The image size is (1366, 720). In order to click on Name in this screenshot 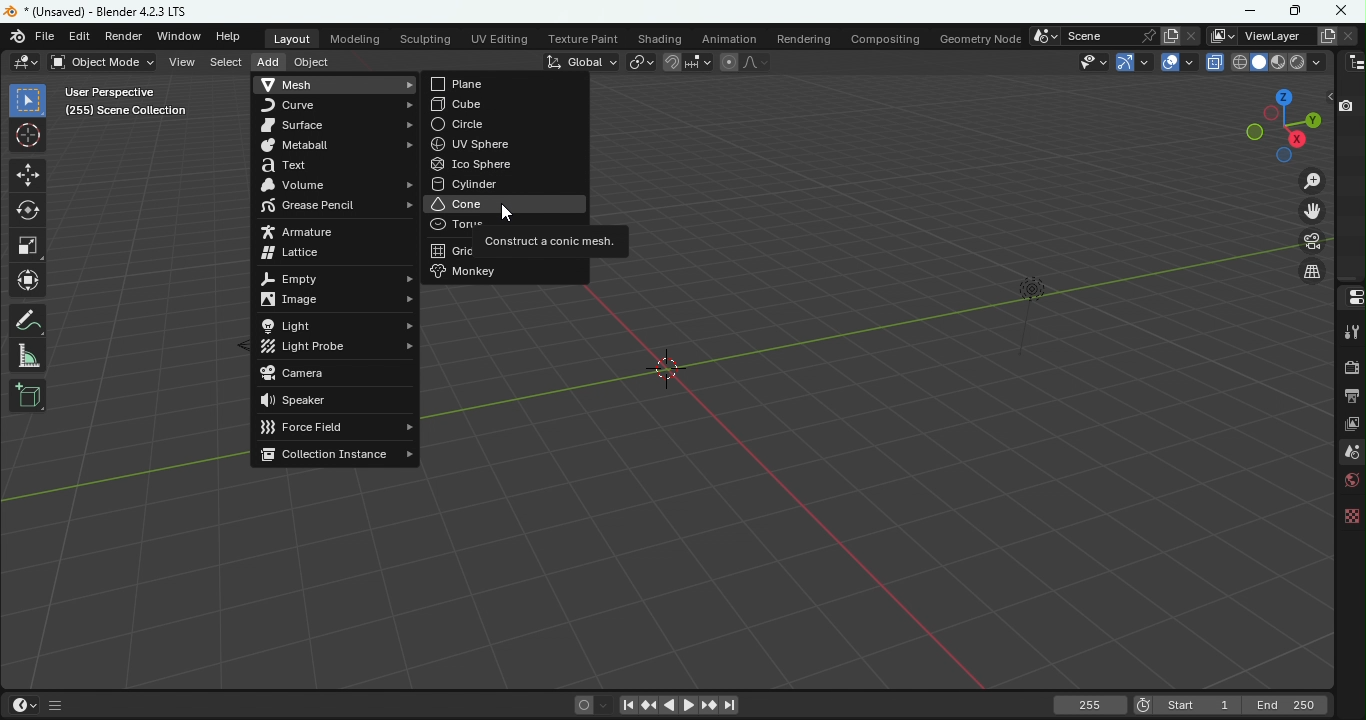, I will do `click(1273, 34)`.